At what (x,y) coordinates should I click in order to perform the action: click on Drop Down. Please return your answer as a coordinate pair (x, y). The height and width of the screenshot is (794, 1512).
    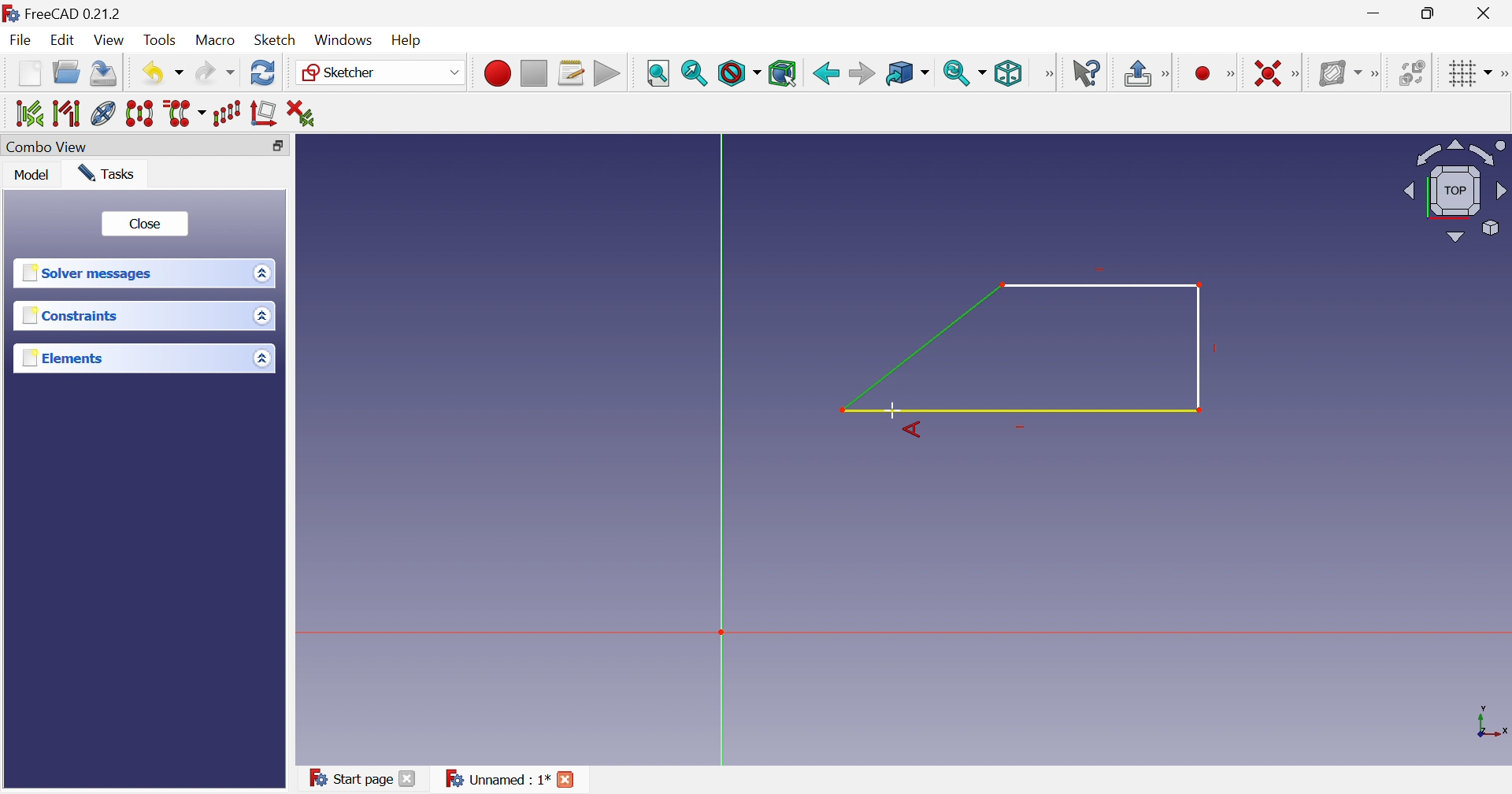
    Looking at the image, I should click on (180, 73).